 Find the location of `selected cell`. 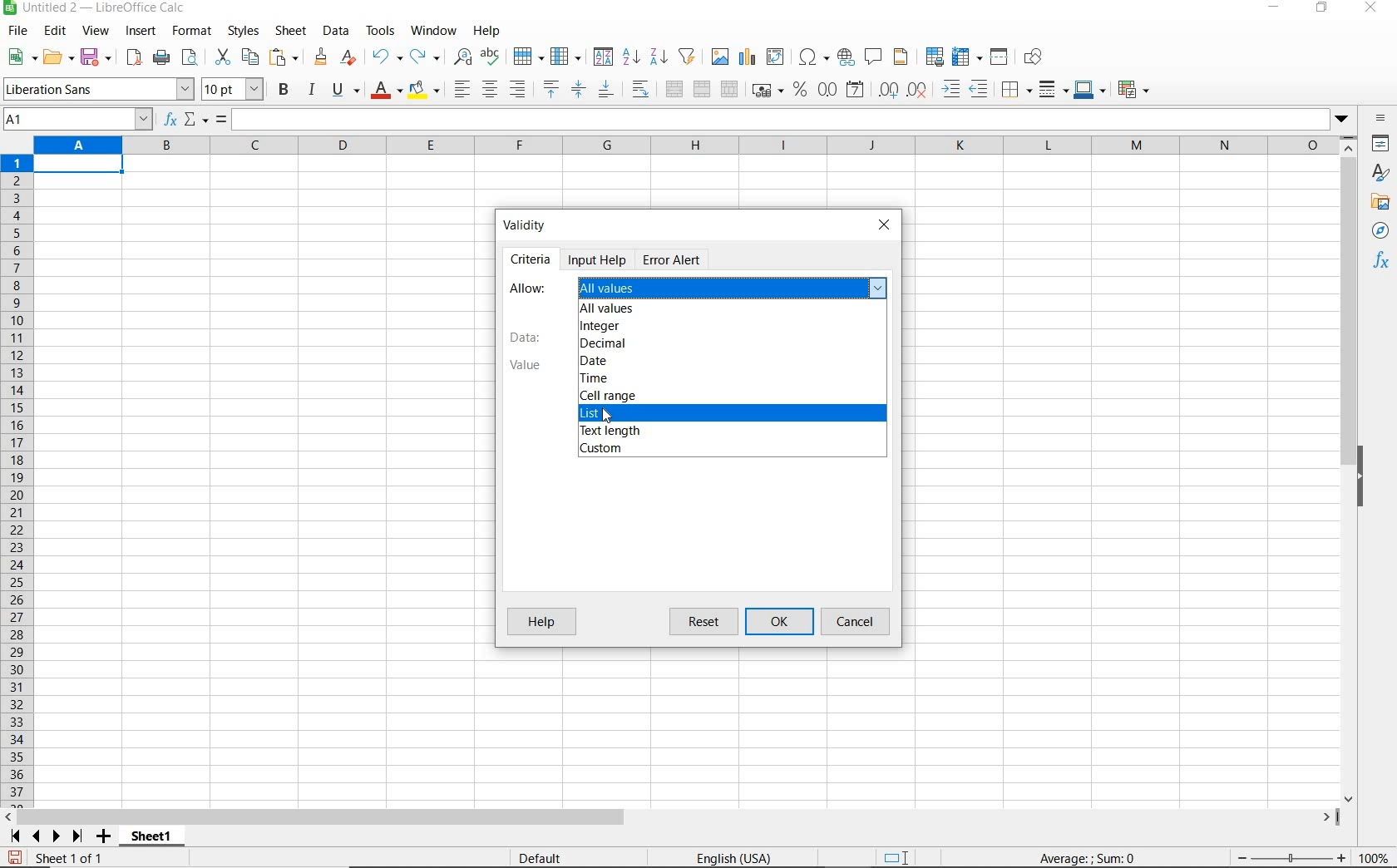

selected cell is located at coordinates (79, 166).